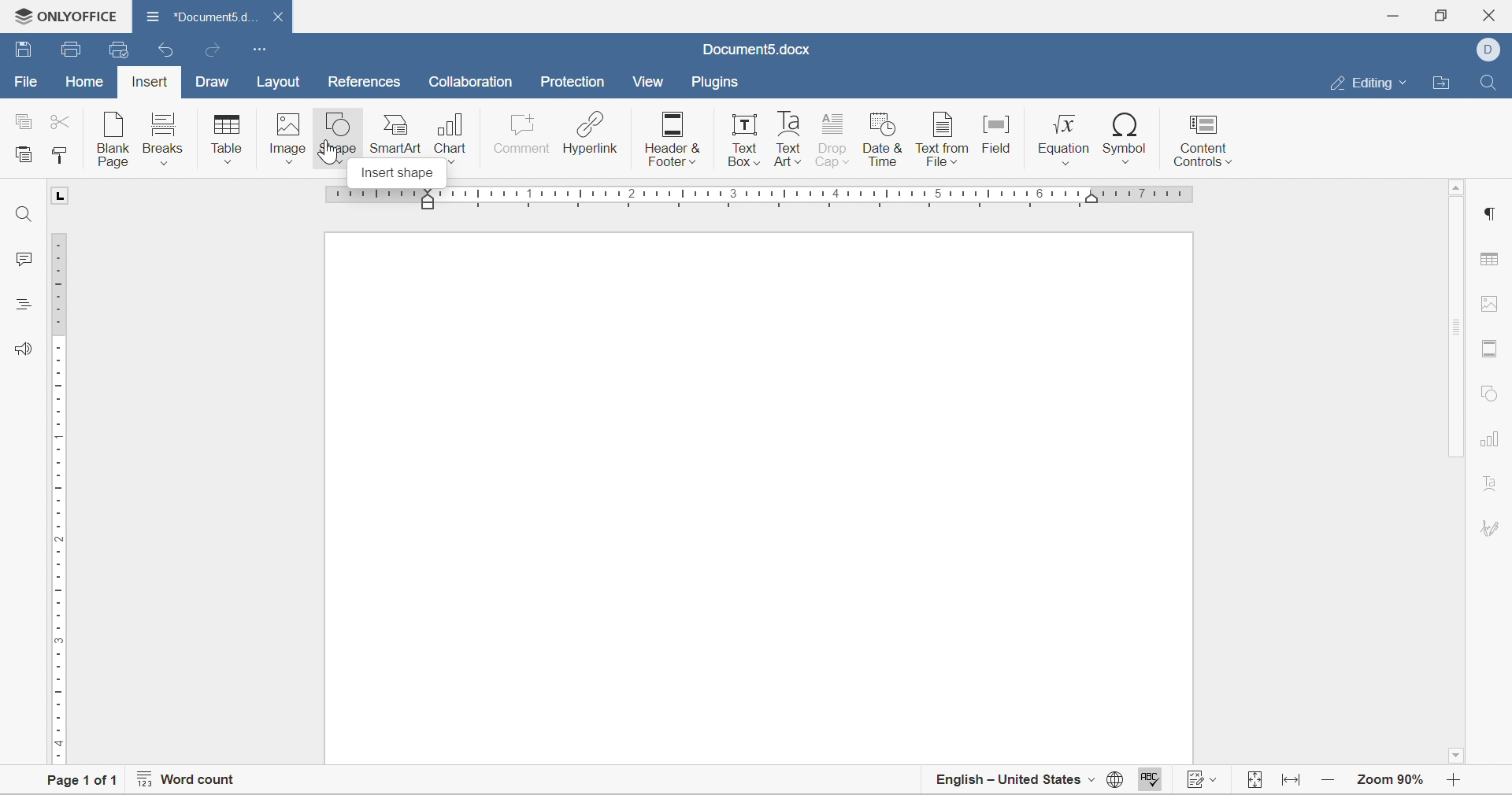 The image size is (1512, 795). What do you see at coordinates (753, 48) in the screenshot?
I see `document5.docx` at bounding box center [753, 48].